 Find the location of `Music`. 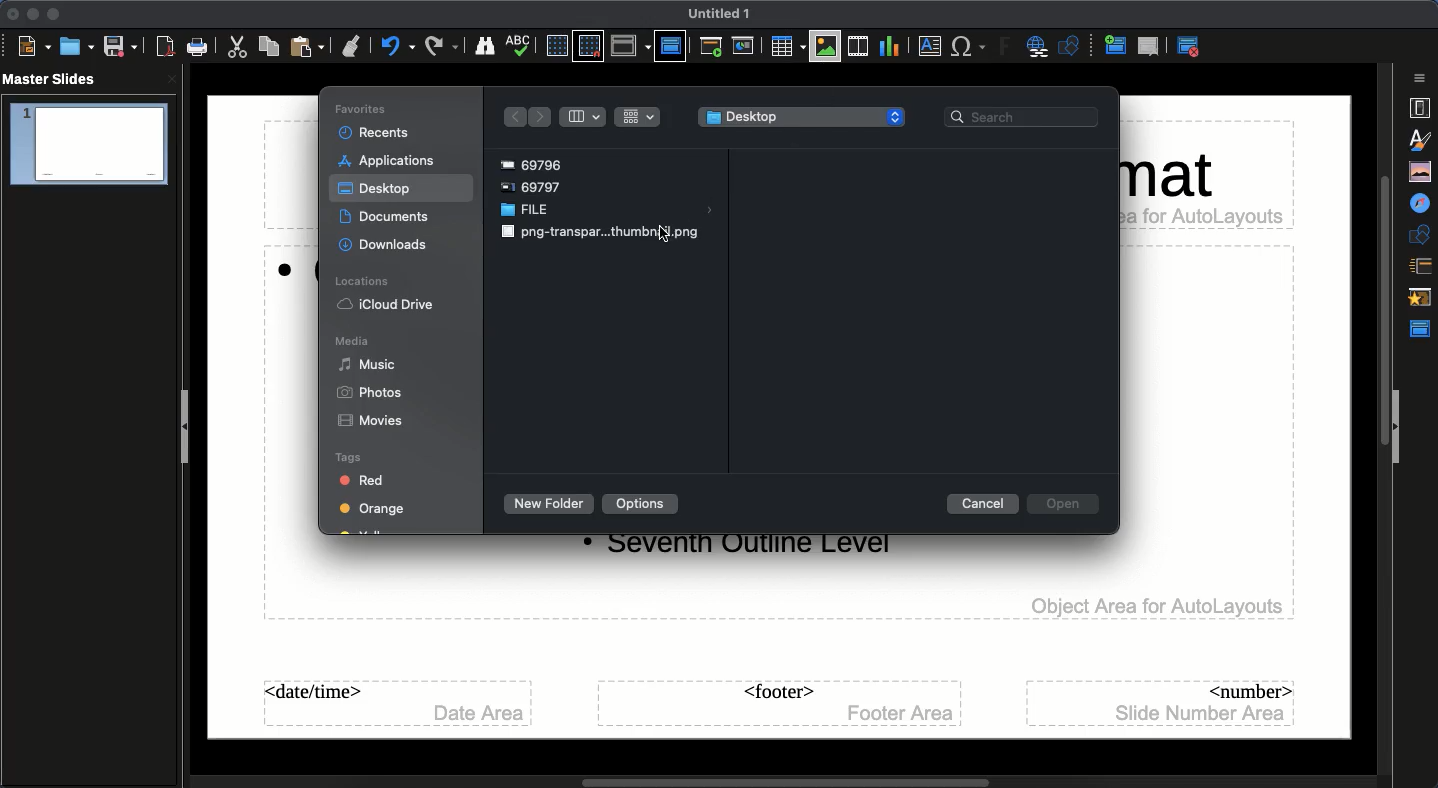

Music is located at coordinates (368, 364).